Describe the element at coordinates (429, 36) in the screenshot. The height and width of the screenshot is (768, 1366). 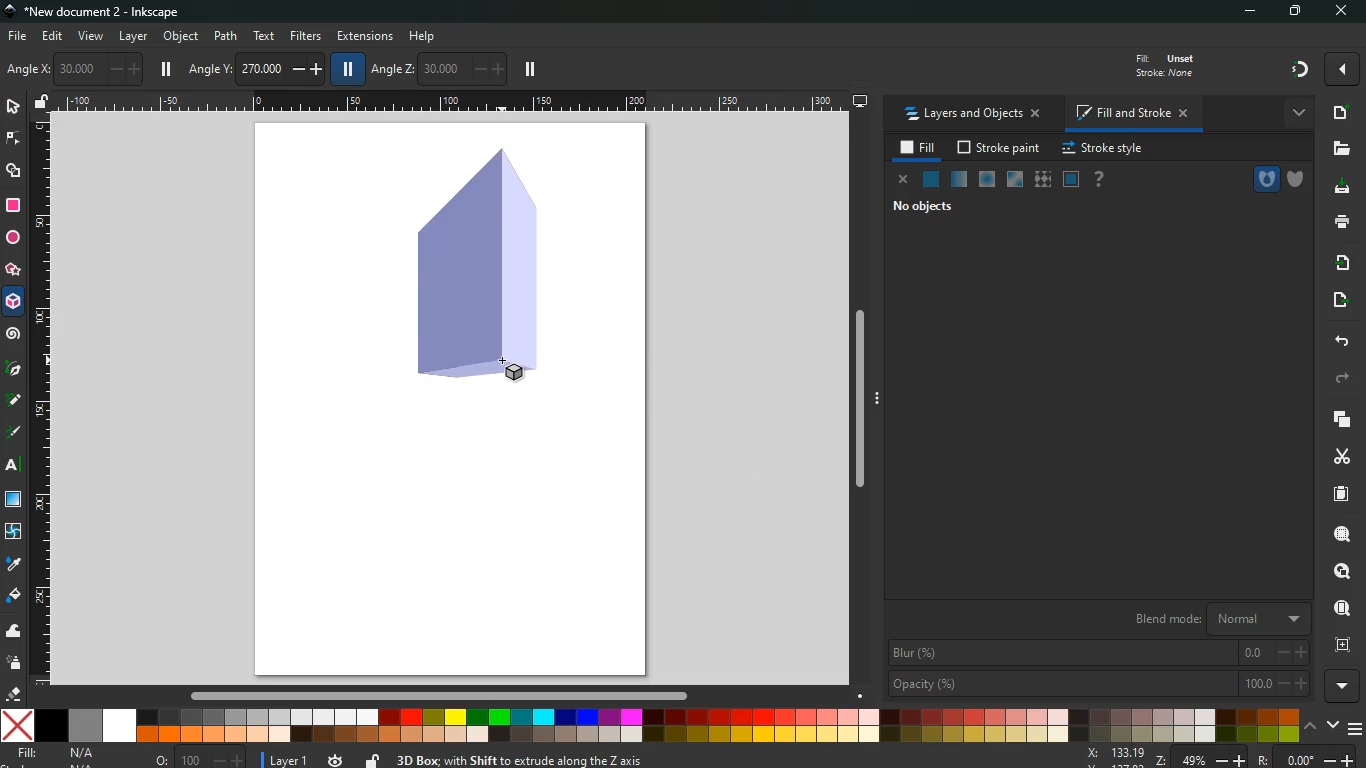
I see `help` at that location.